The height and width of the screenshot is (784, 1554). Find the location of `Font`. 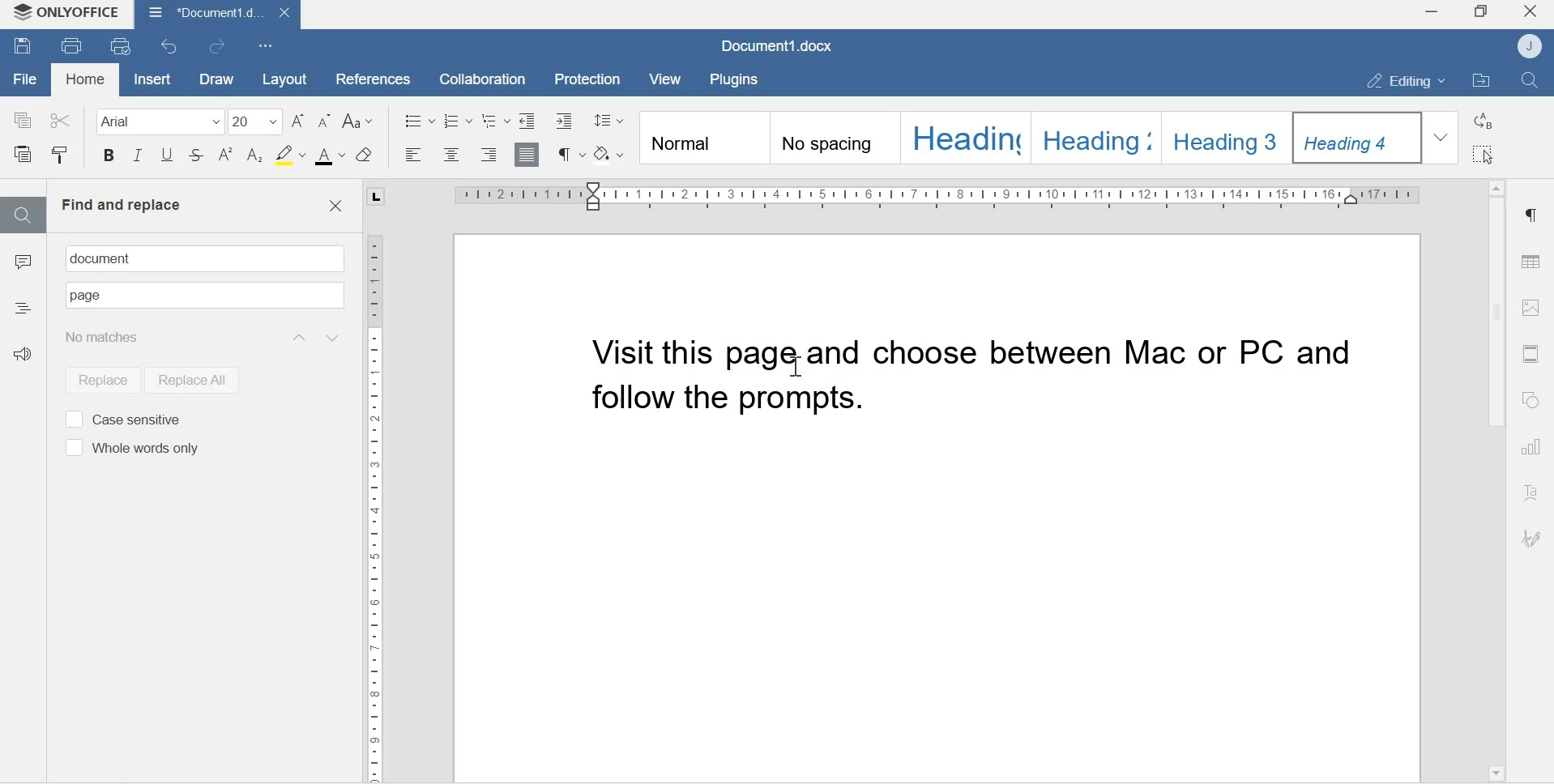

Font is located at coordinates (155, 121).